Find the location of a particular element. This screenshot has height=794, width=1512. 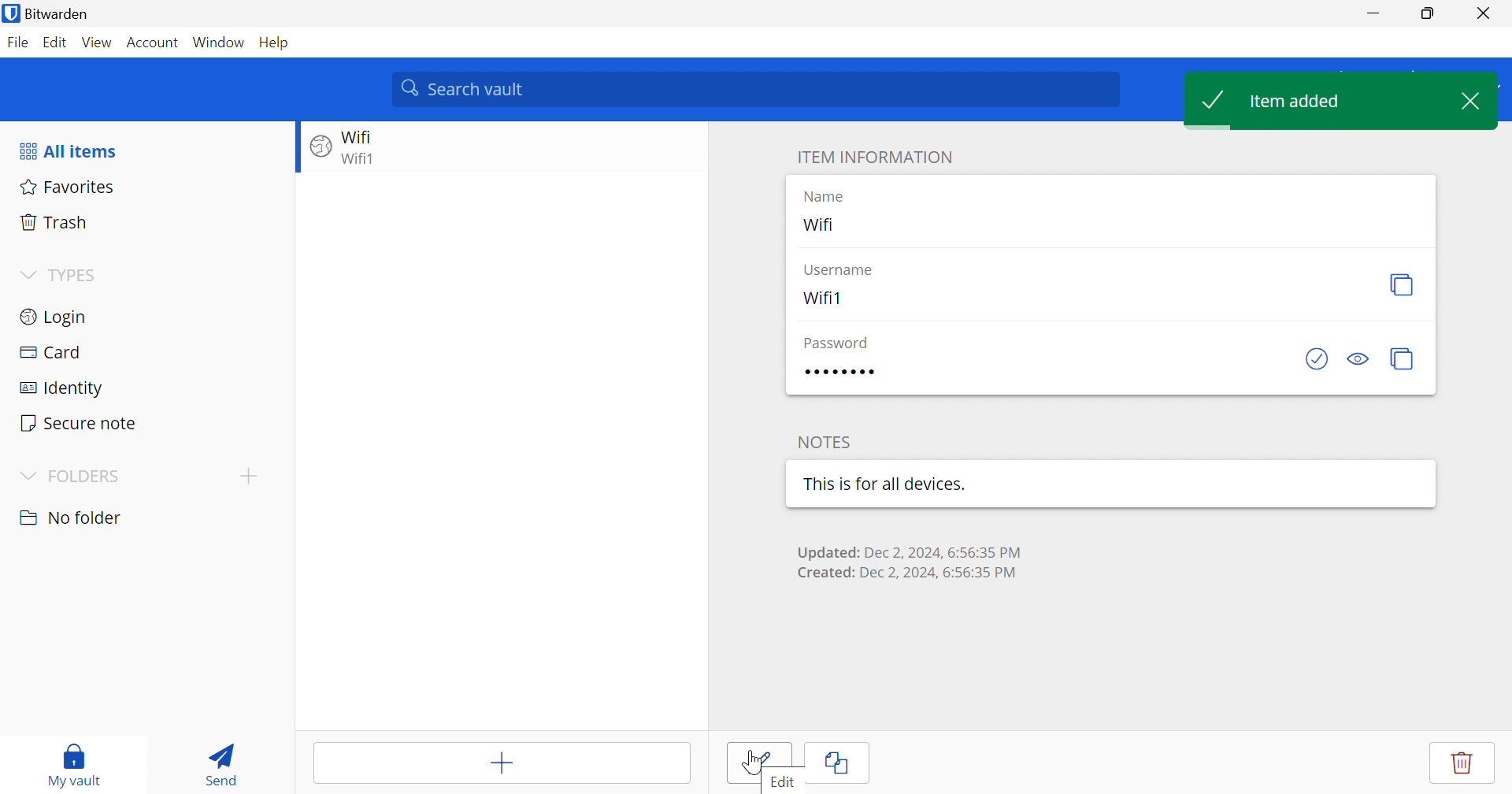

Minimize is located at coordinates (1373, 14).